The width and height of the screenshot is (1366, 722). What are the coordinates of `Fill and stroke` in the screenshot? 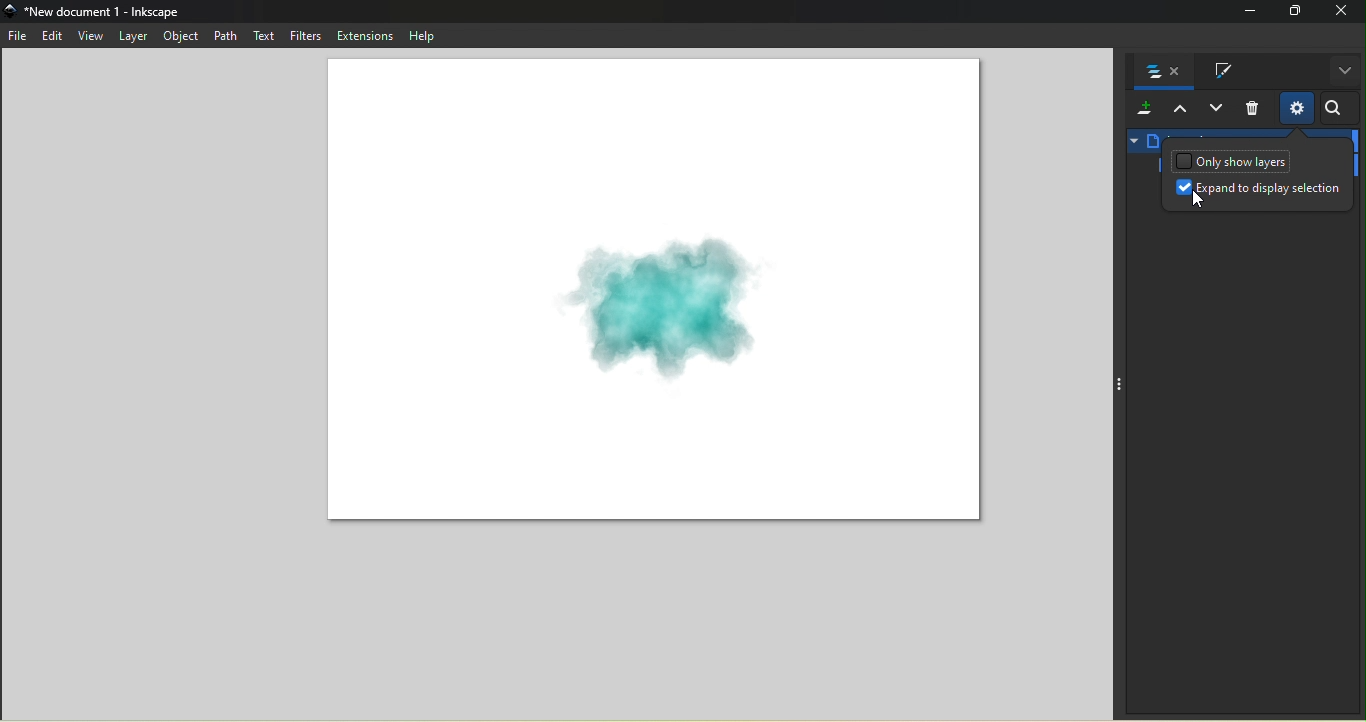 It's located at (1215, 72).